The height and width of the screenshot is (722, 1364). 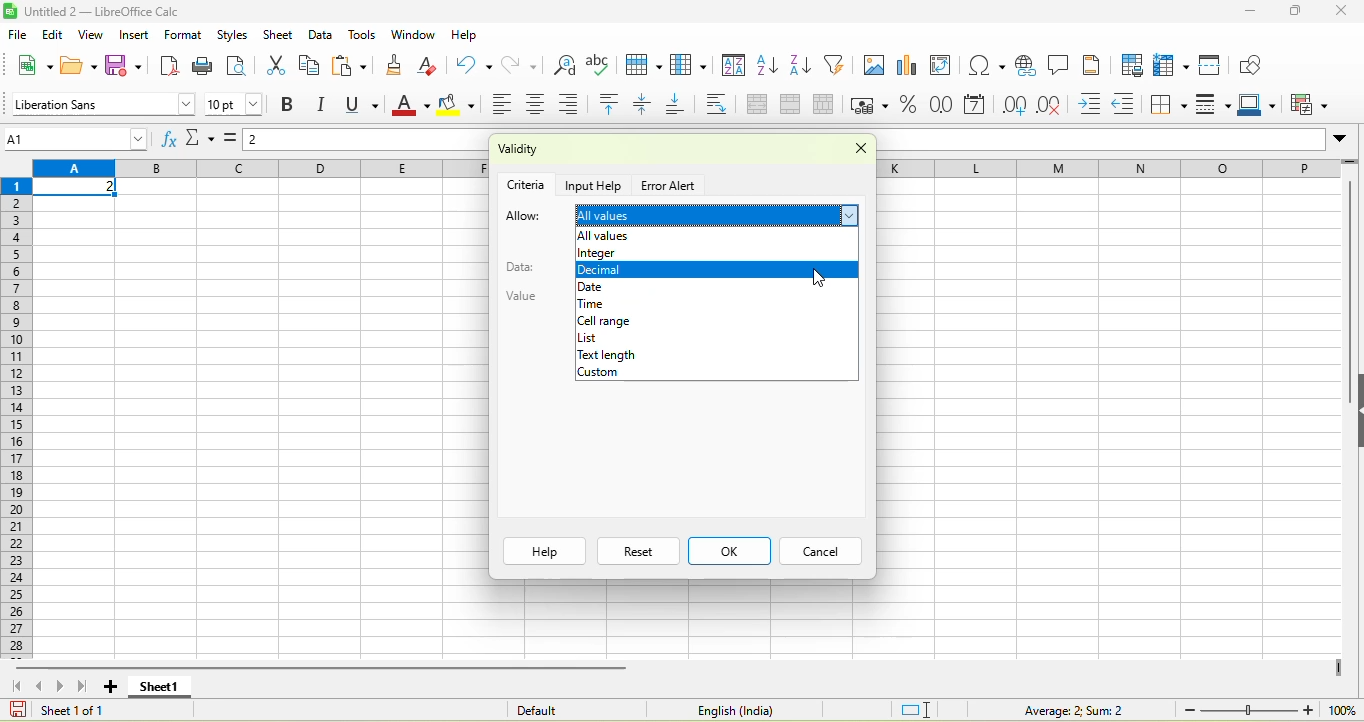 What do you see at coordinates (715, 286) in the screenshot?
I see `date` at bounding box center [715, 286].